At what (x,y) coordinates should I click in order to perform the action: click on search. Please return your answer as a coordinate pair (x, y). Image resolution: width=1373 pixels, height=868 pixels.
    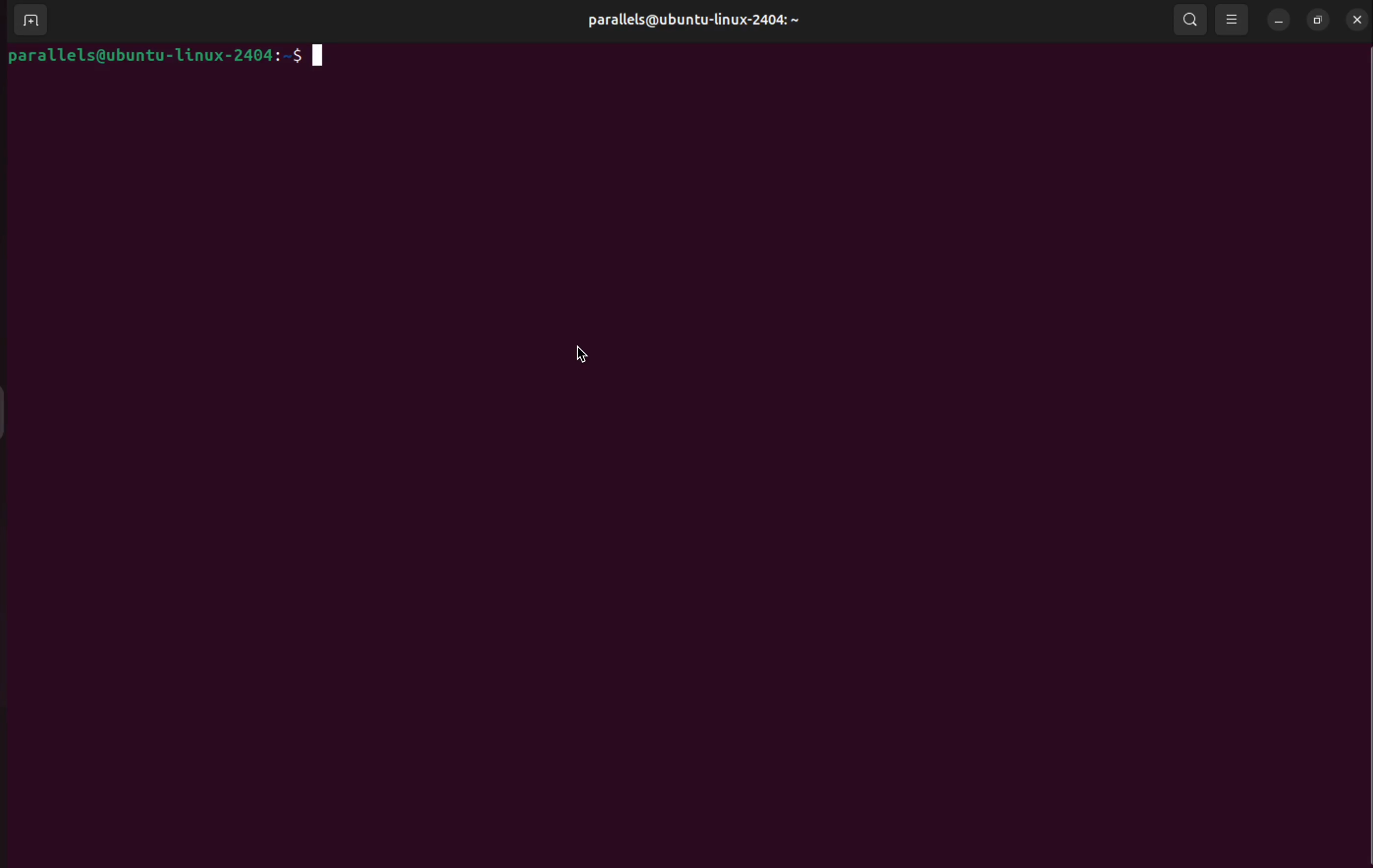
    Looking at the image, I should click on (1192, 21).